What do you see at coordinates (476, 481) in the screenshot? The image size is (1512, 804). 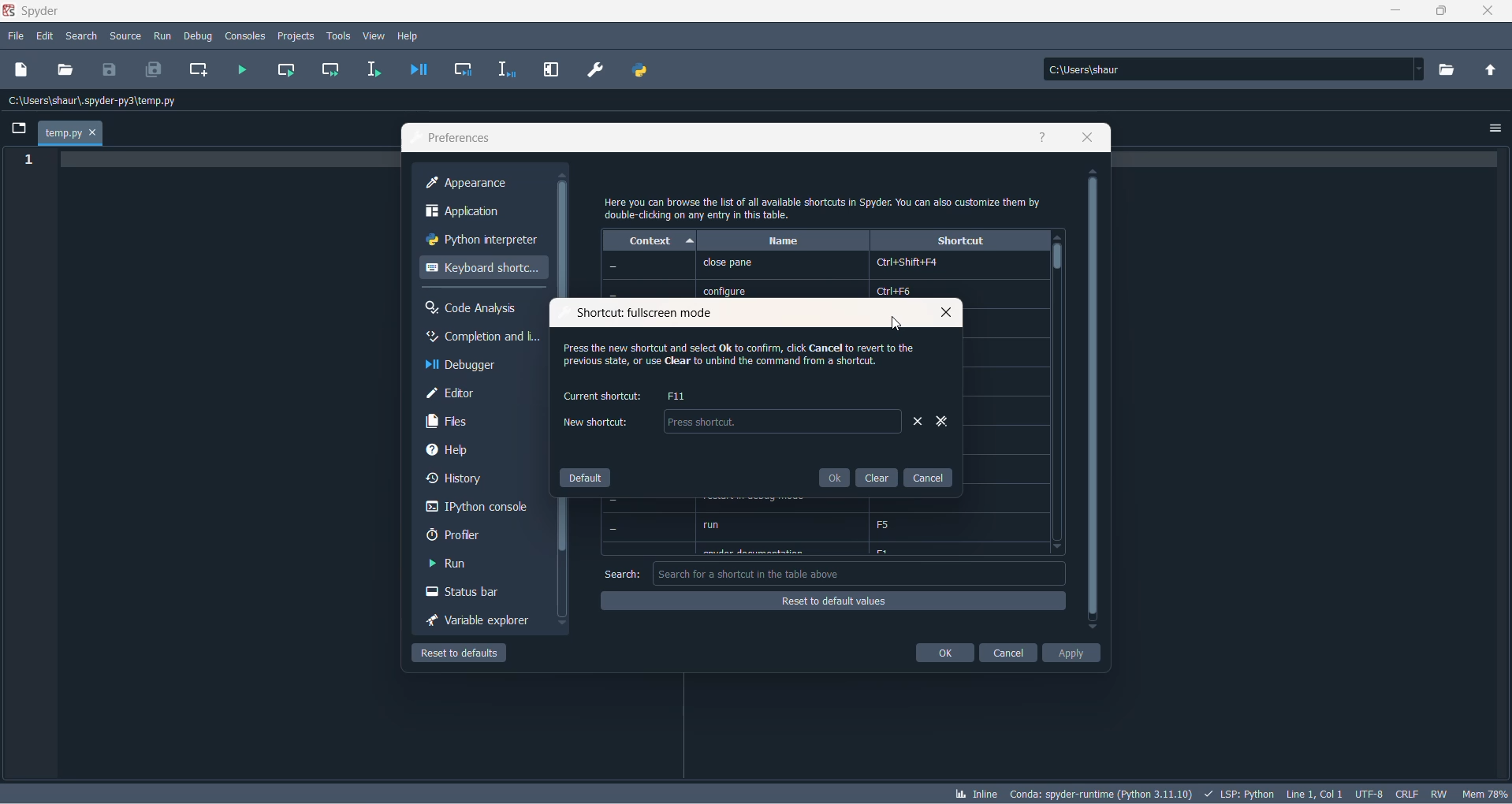 I see `history` at bounding box center [476, 481].